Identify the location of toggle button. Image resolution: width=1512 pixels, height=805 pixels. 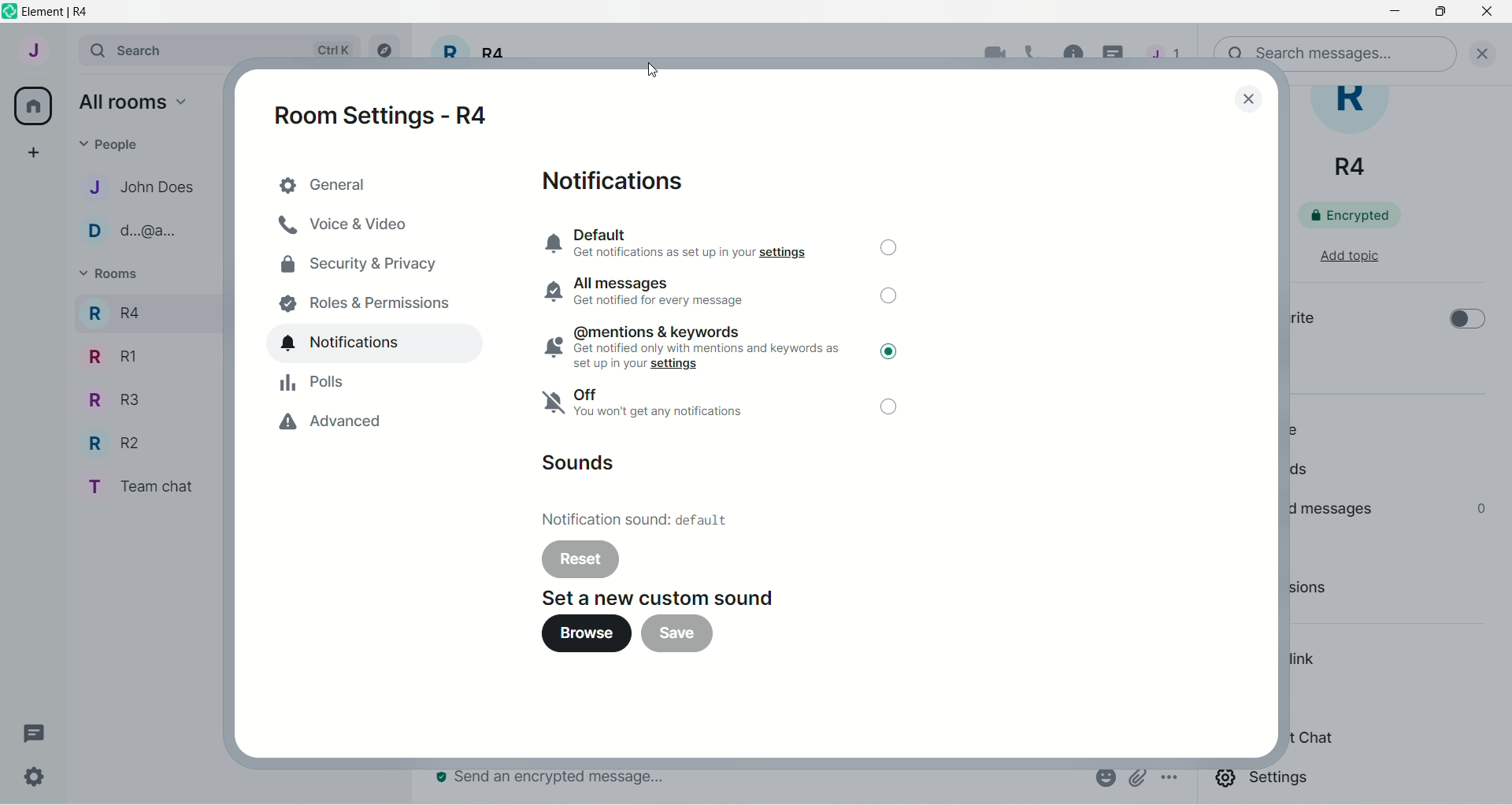
(888, 250).